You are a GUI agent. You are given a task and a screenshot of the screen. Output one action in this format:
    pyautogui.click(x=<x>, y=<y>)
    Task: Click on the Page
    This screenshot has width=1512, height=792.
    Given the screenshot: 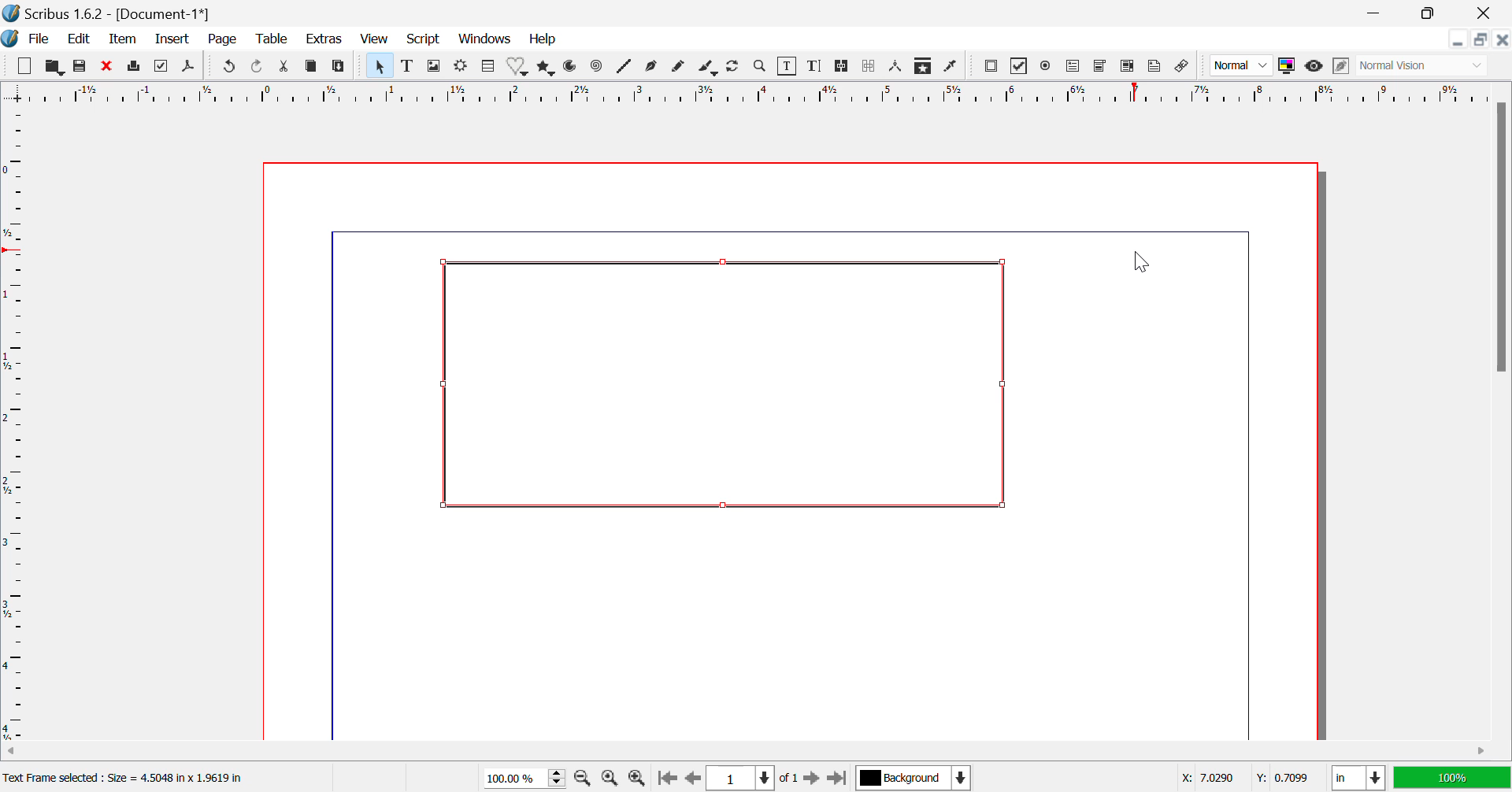 What is the action you would take?
    pyautogui.click(x=225, y=41)
    